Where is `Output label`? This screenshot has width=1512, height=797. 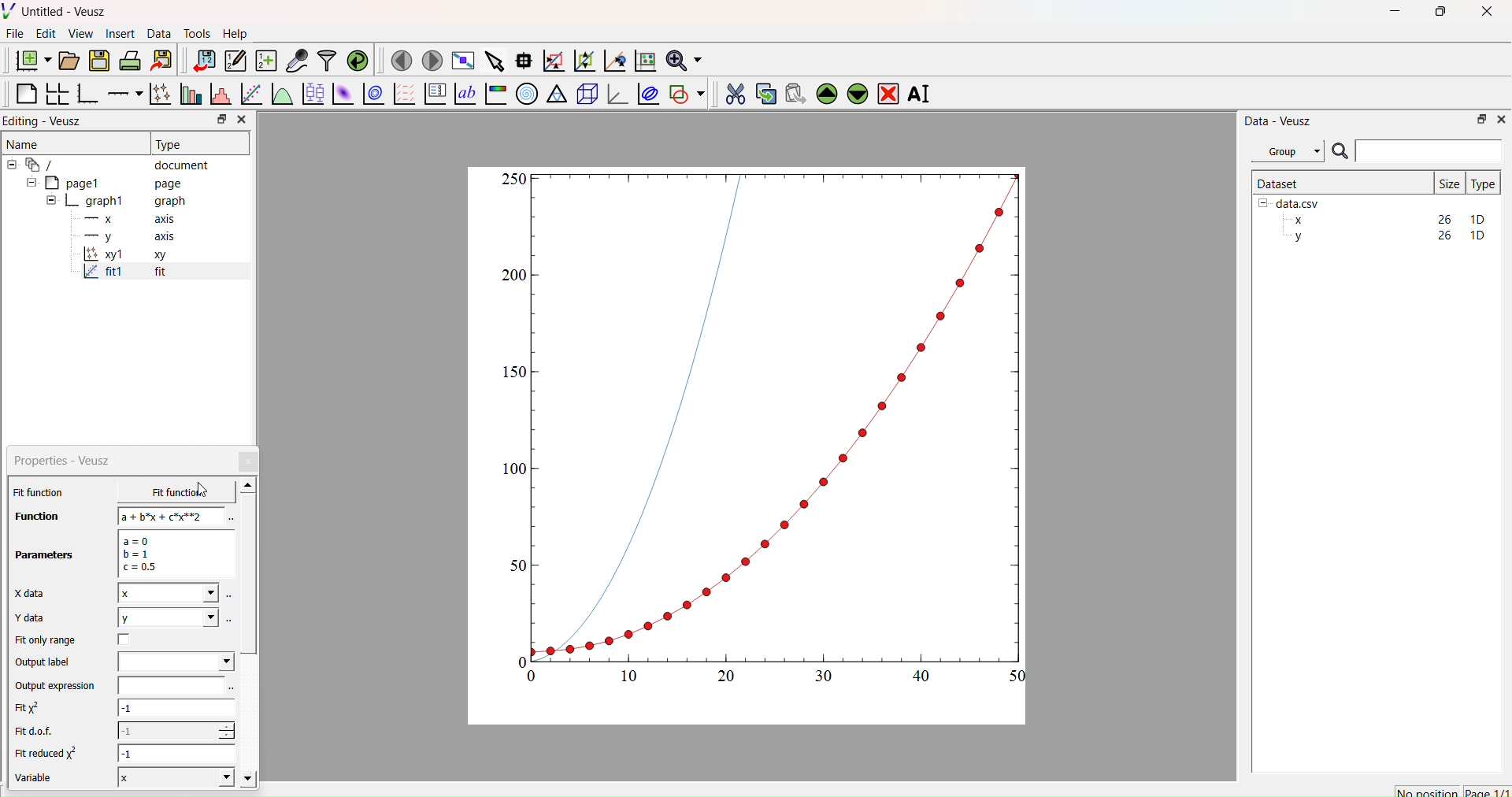 Output label is located at coordinates (46, 662).